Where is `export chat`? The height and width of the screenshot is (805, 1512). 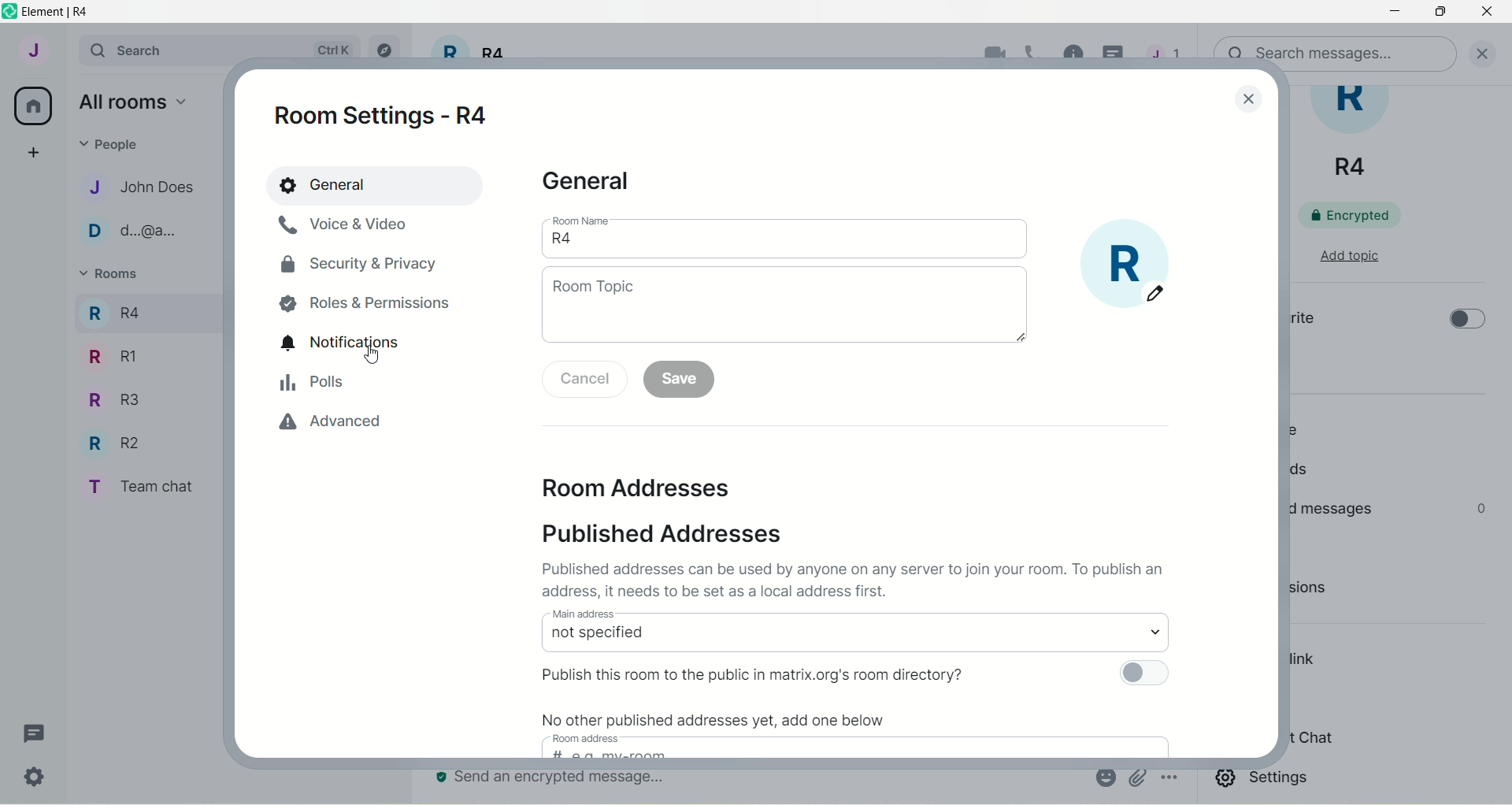
export chat is located at coordinates (1311, 738).